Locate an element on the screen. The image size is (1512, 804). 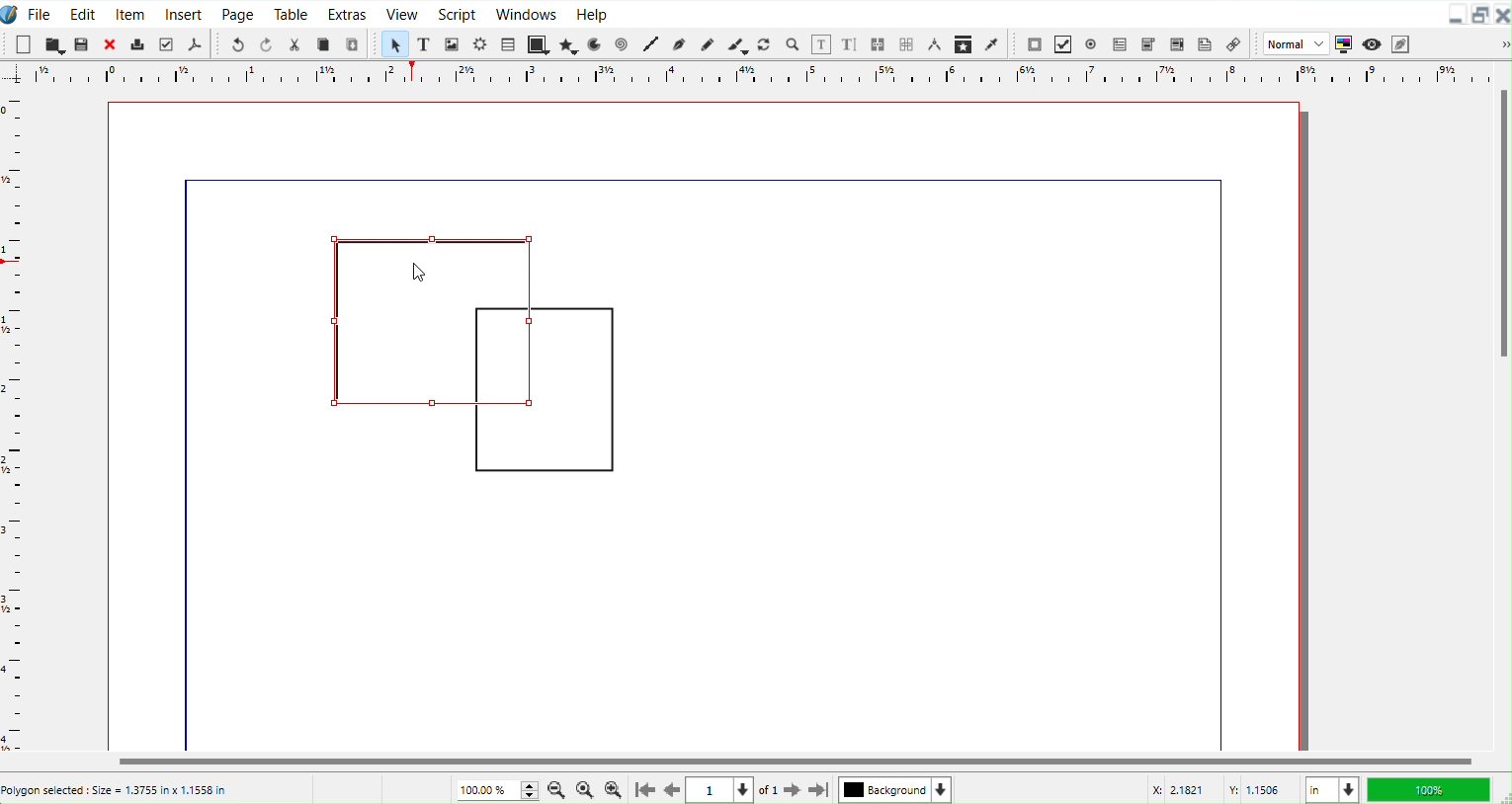
Text Frame is located at coordinates (425, 43).